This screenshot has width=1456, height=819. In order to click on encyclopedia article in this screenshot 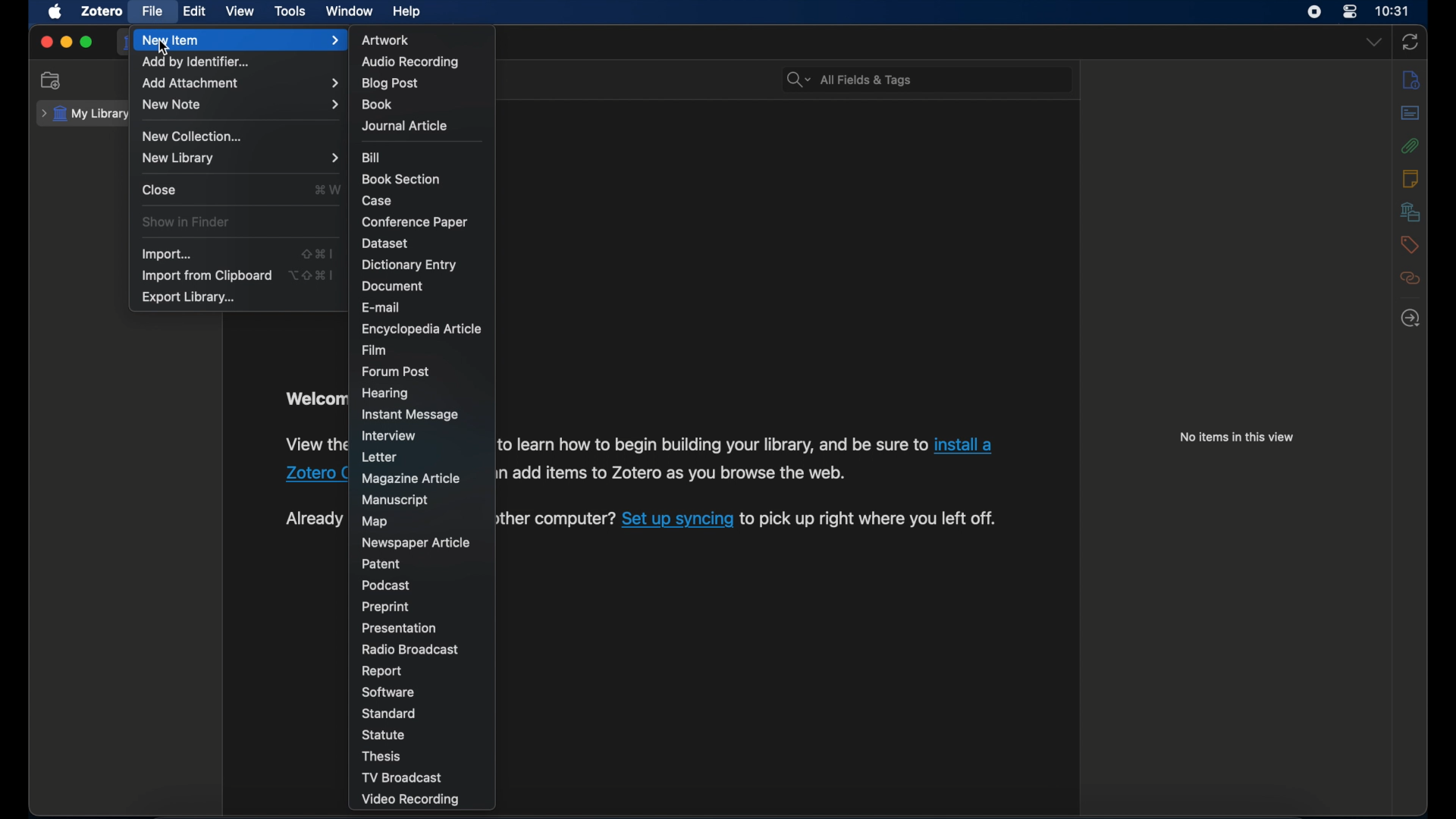, I will do `click(422, 329)`.